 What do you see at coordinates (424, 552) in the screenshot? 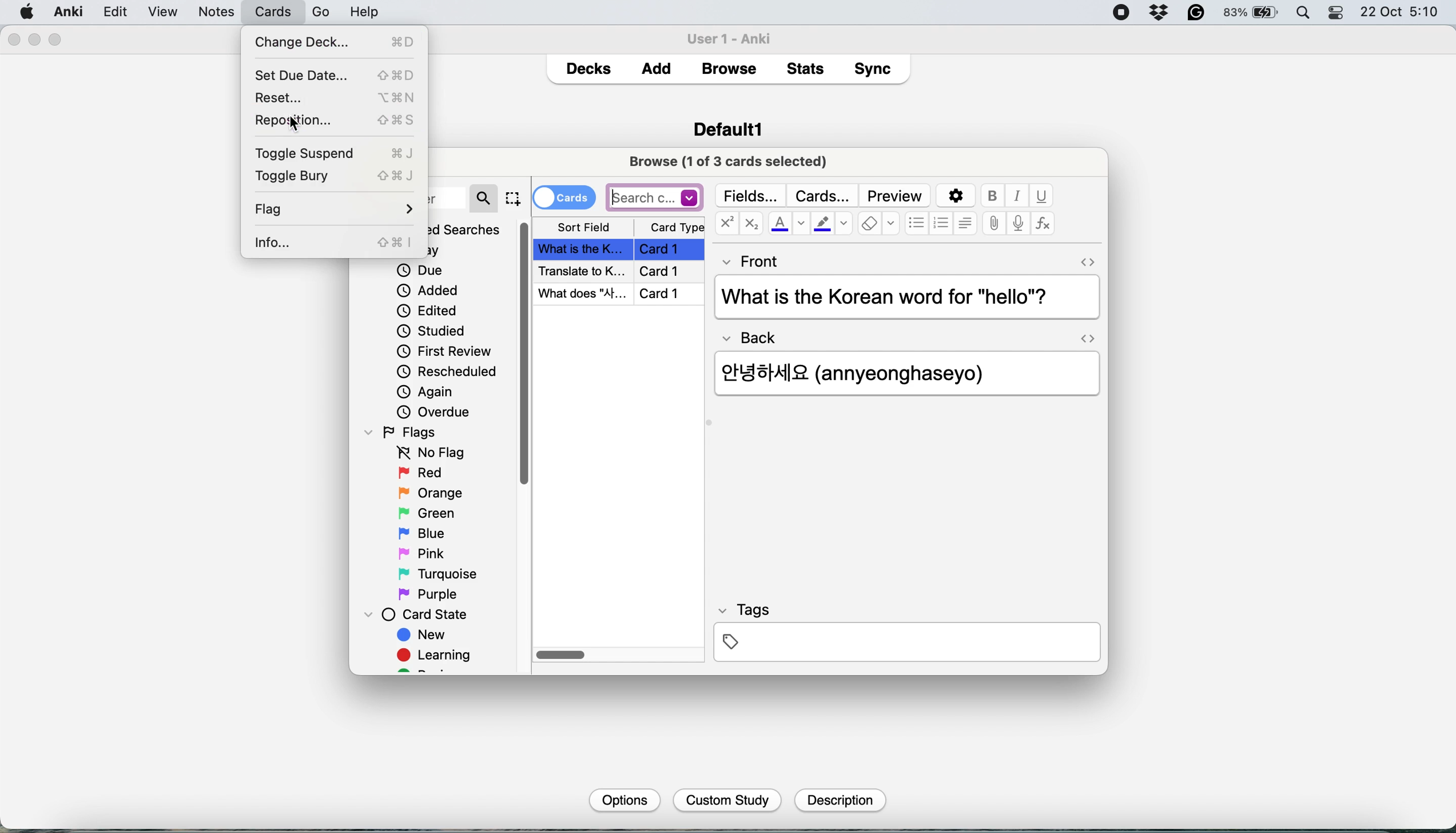
I see `pink` at bounding box center [424, 552].